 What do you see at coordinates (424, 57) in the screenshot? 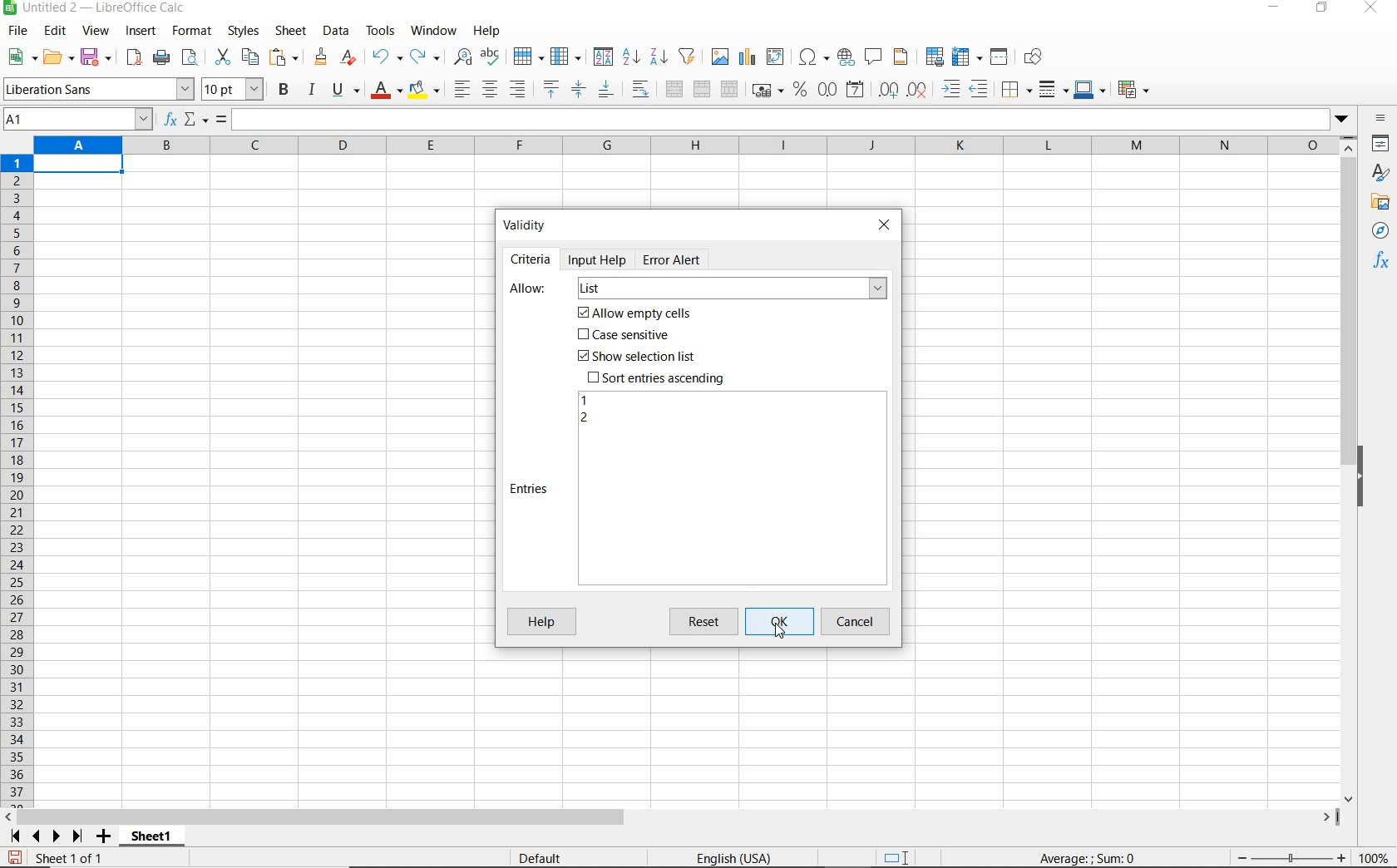
I see `redo` at bounding box center [424, 57].